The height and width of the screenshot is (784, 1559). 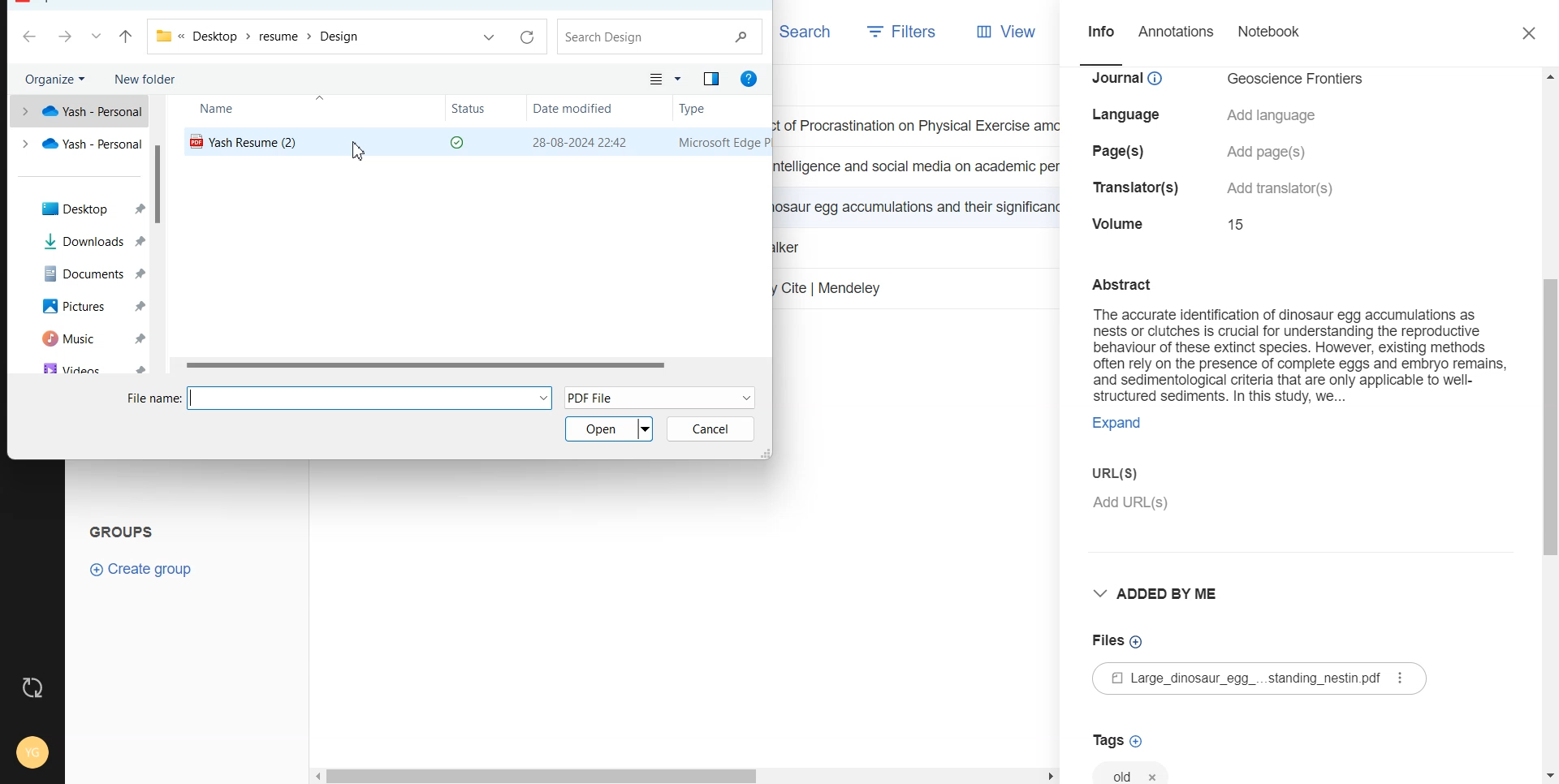 I want to click on Previous file, so click(x=490, y=37).